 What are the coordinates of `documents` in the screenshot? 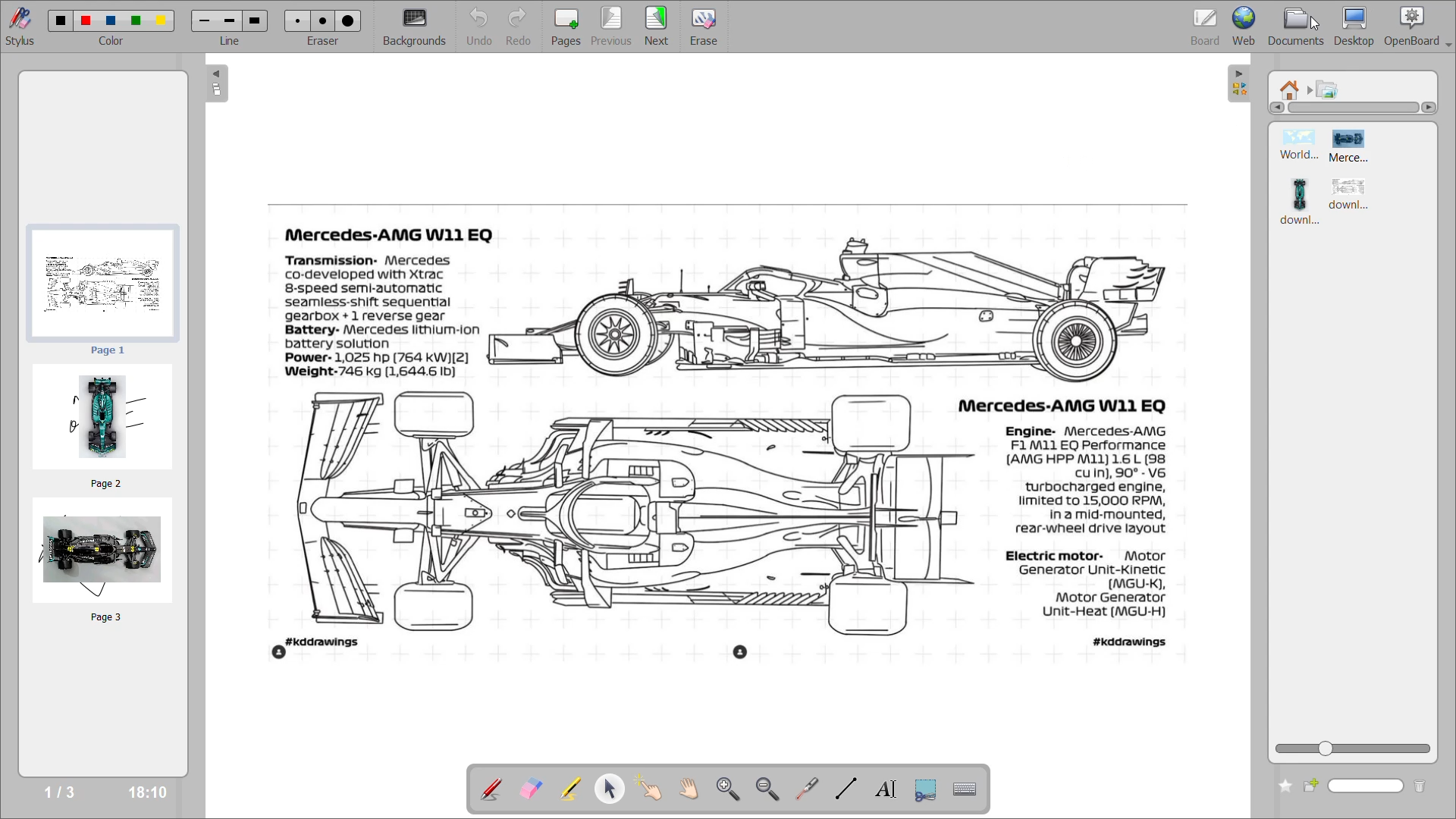 It's located at (1294, 27).